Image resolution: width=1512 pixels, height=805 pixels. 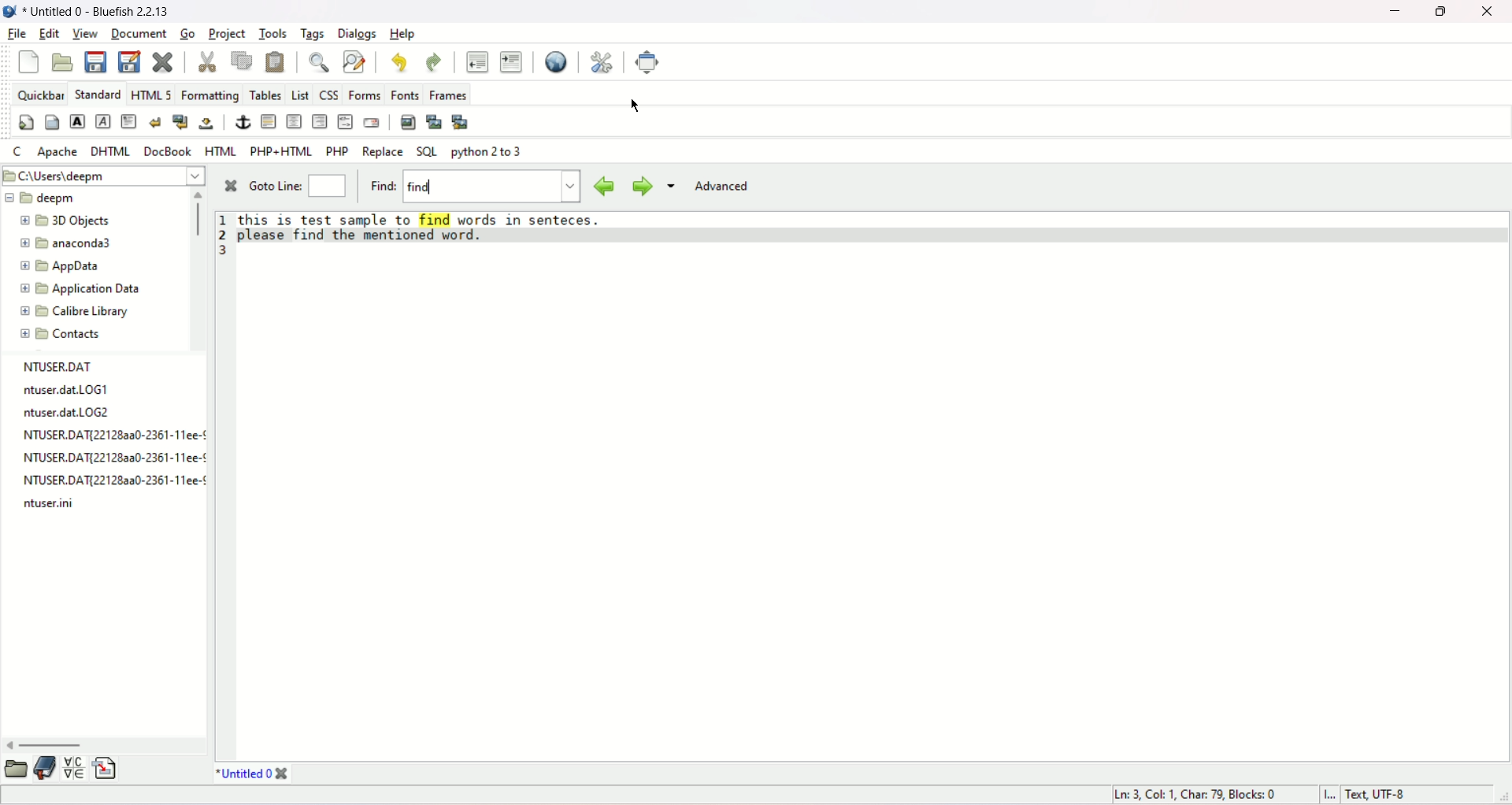 I want to click on body, so click(x=51, y=122).